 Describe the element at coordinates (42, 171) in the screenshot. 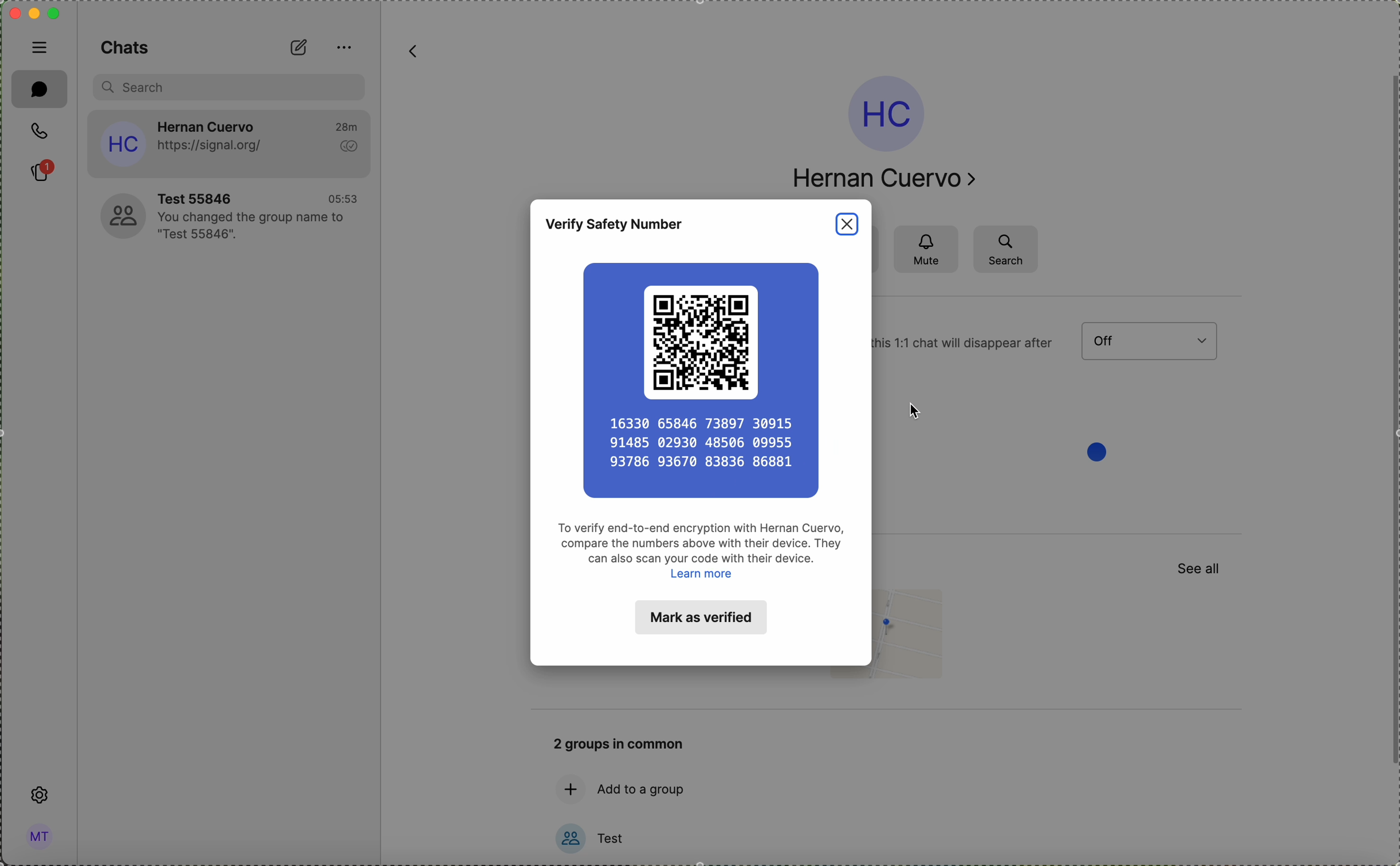

I see `stories` at that location.